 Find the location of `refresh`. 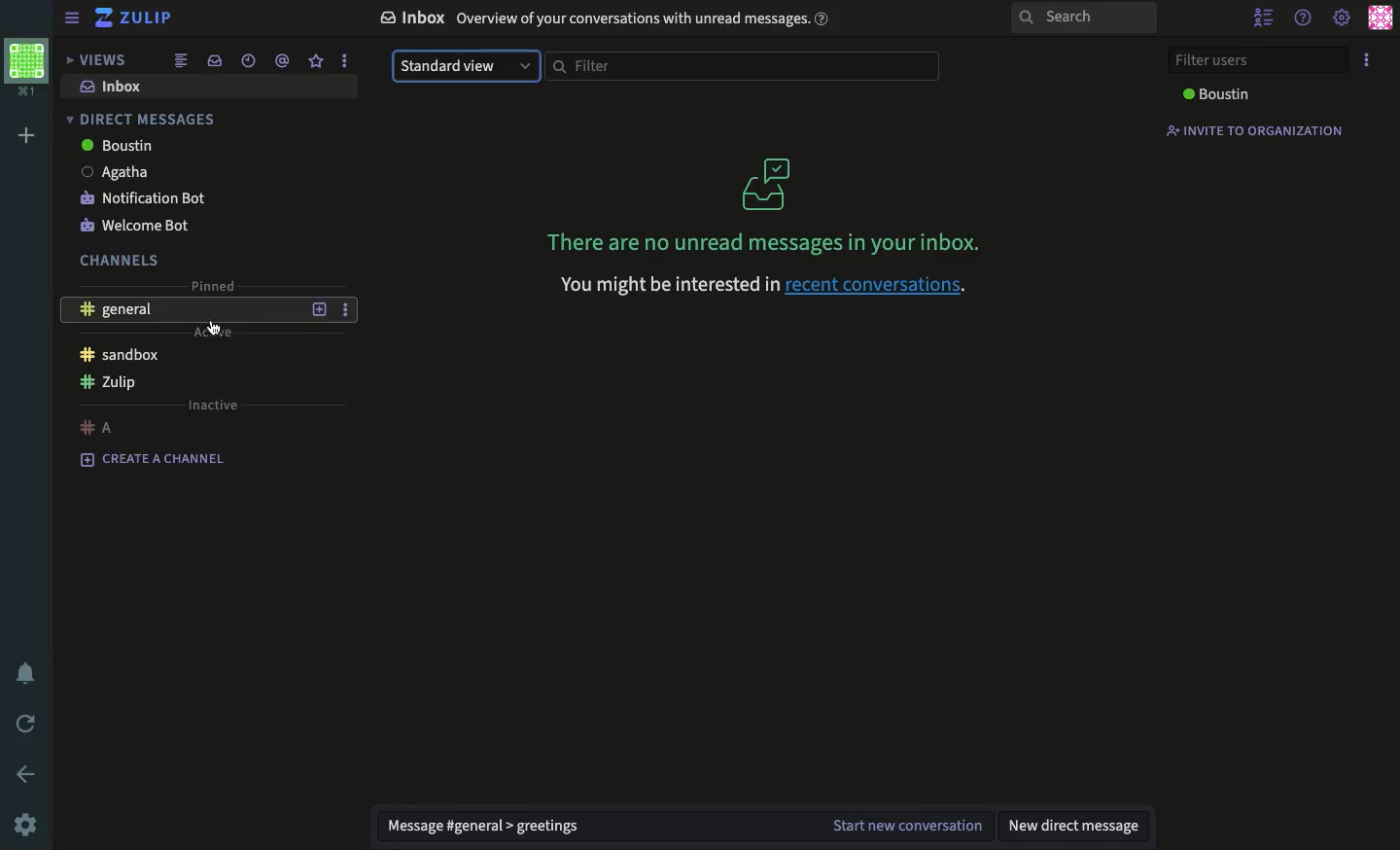

refresh is located at coordinates (29, 725).